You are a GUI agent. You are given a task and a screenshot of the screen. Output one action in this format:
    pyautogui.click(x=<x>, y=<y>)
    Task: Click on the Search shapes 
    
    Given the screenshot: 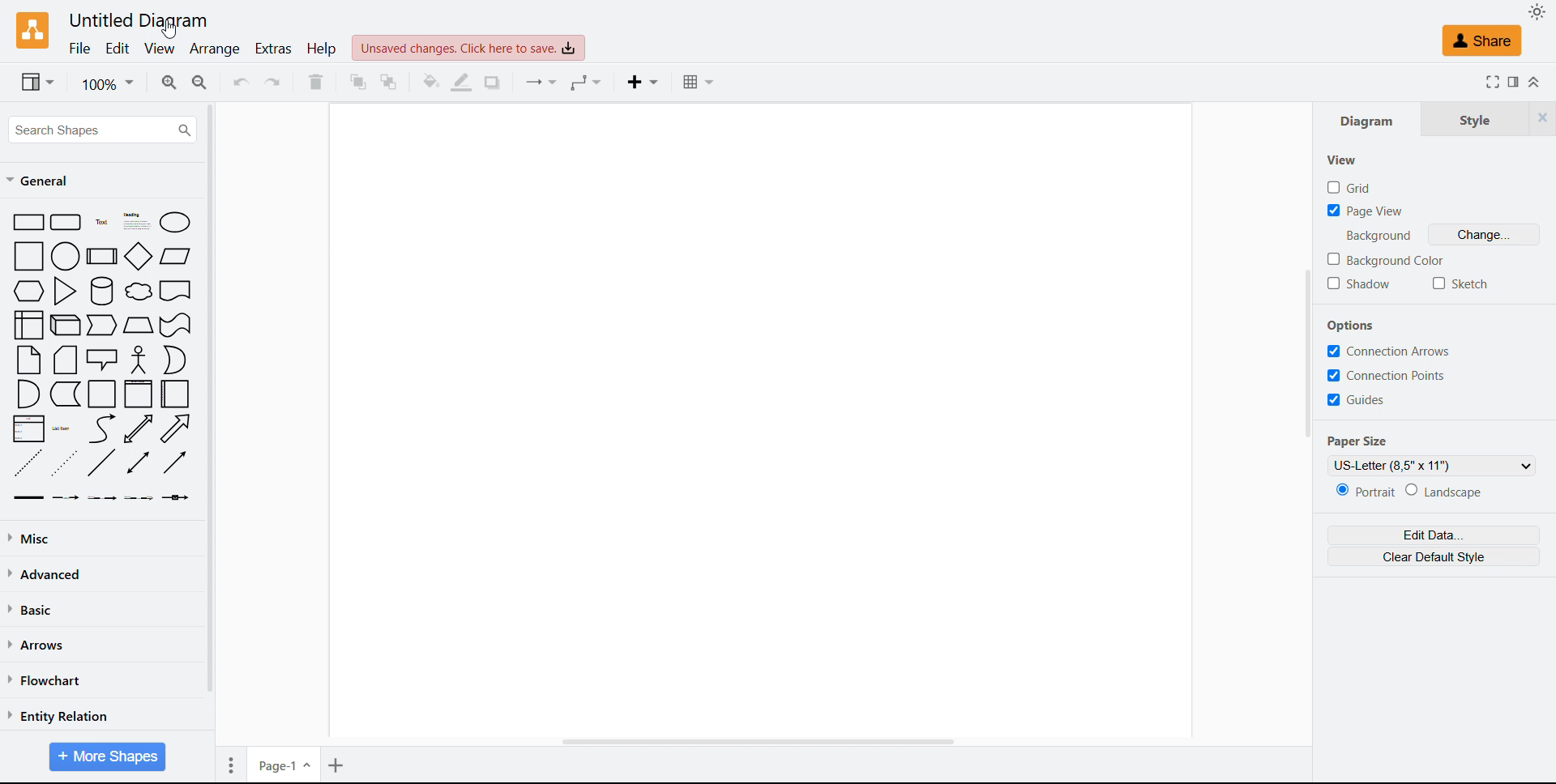 What is the action you would take?
    pyautogui.click(x=104, y=129)
    